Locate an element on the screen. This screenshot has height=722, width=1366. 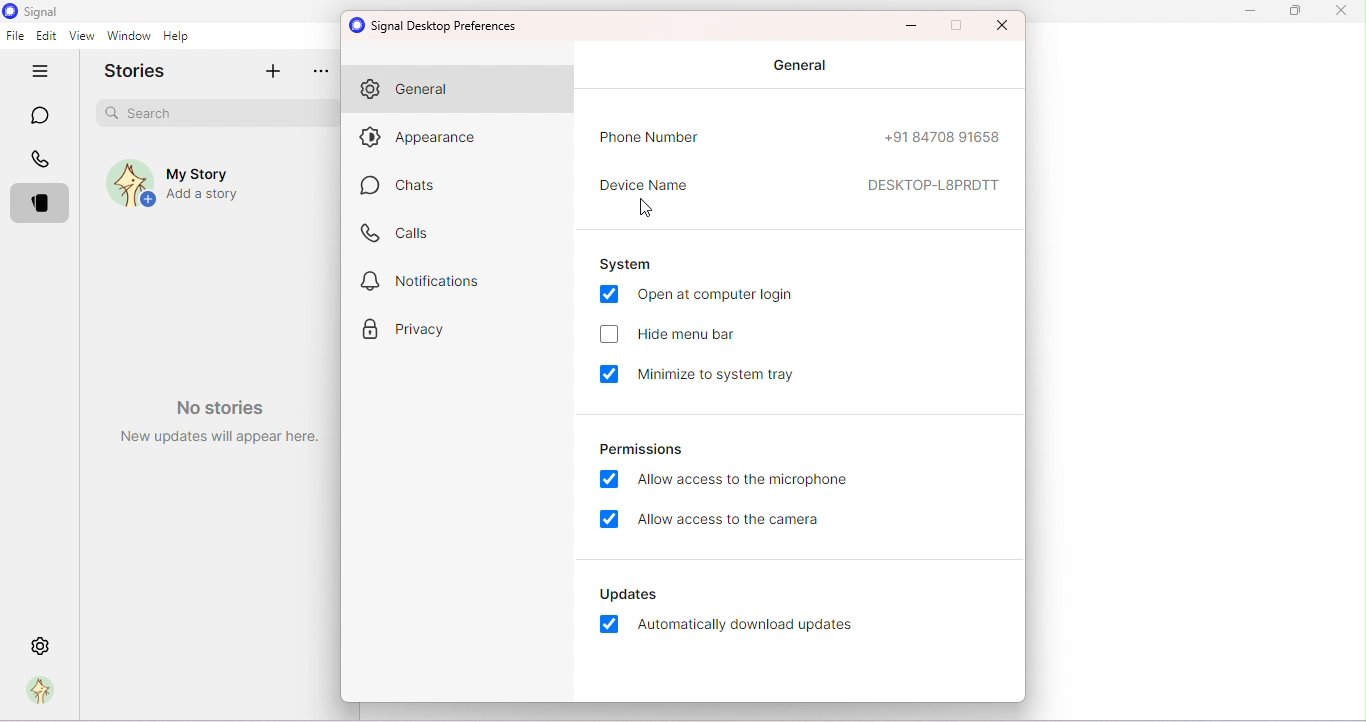
Search bar is located at coordinates (222, 111).